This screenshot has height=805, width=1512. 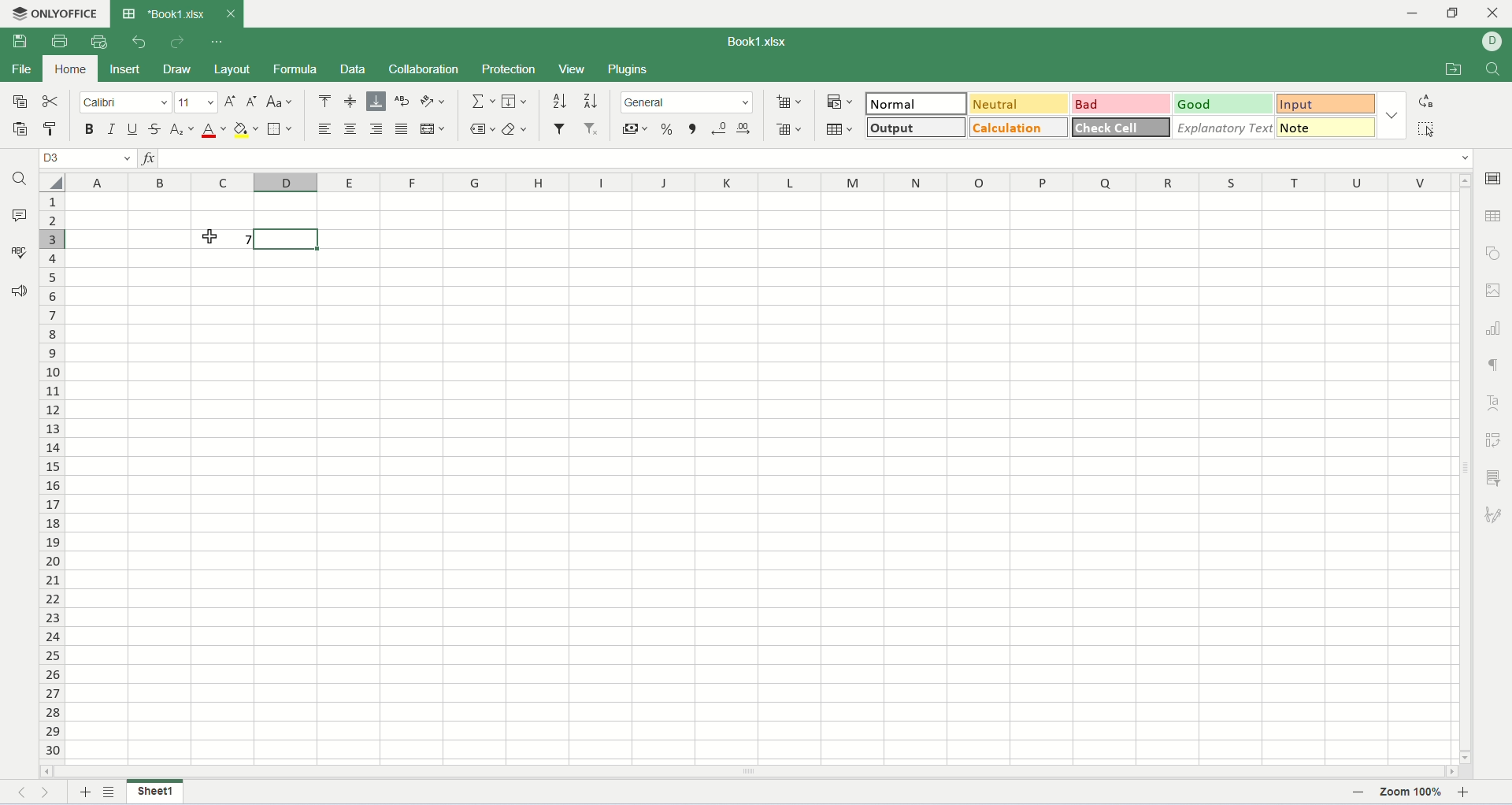 What do you see at coordinates (353, 100) in the screenshot?
I see `align middle` at bounding box center [353, 100].